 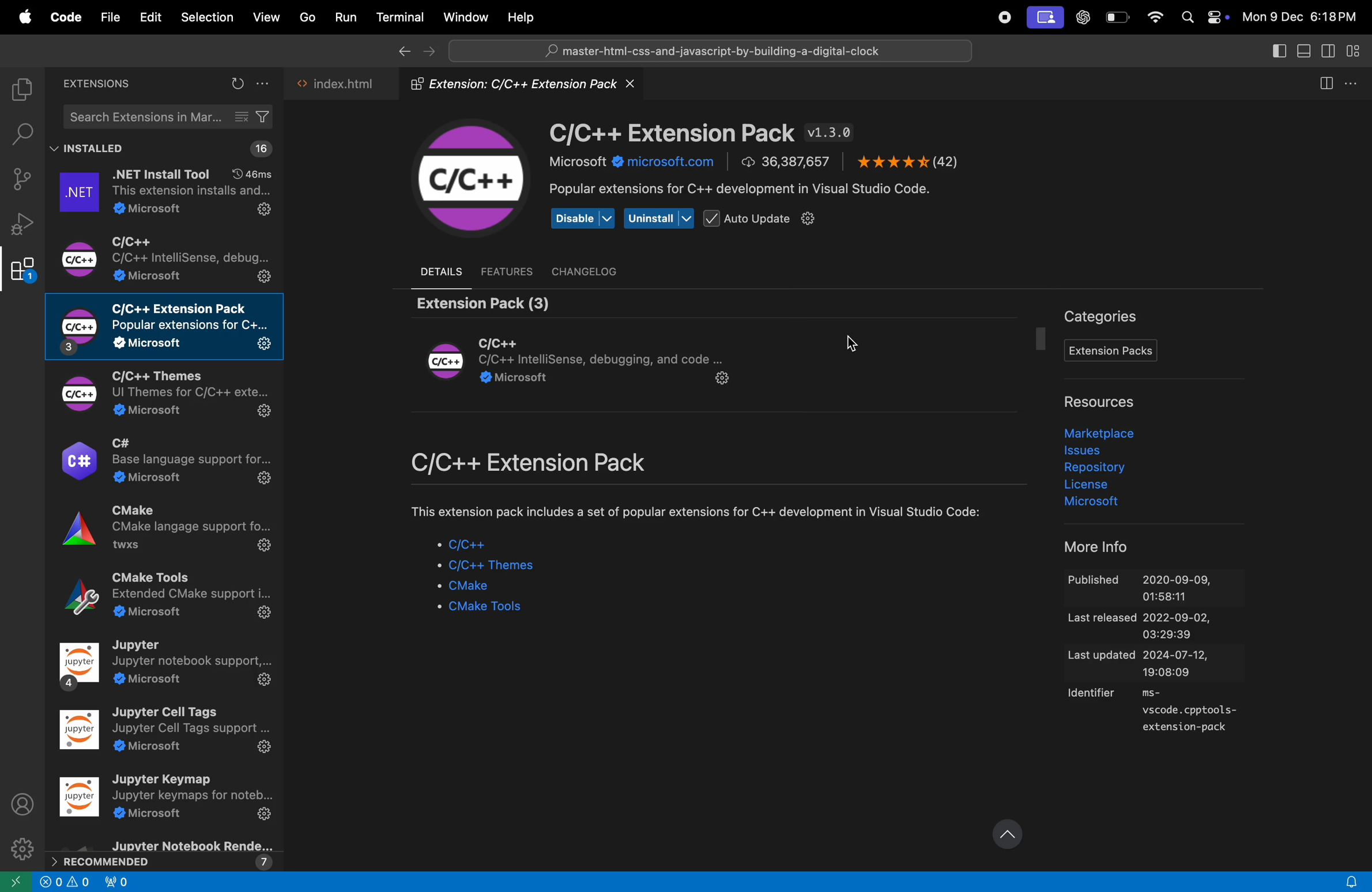 I want to click on refresh, so click(x=237, y=84).